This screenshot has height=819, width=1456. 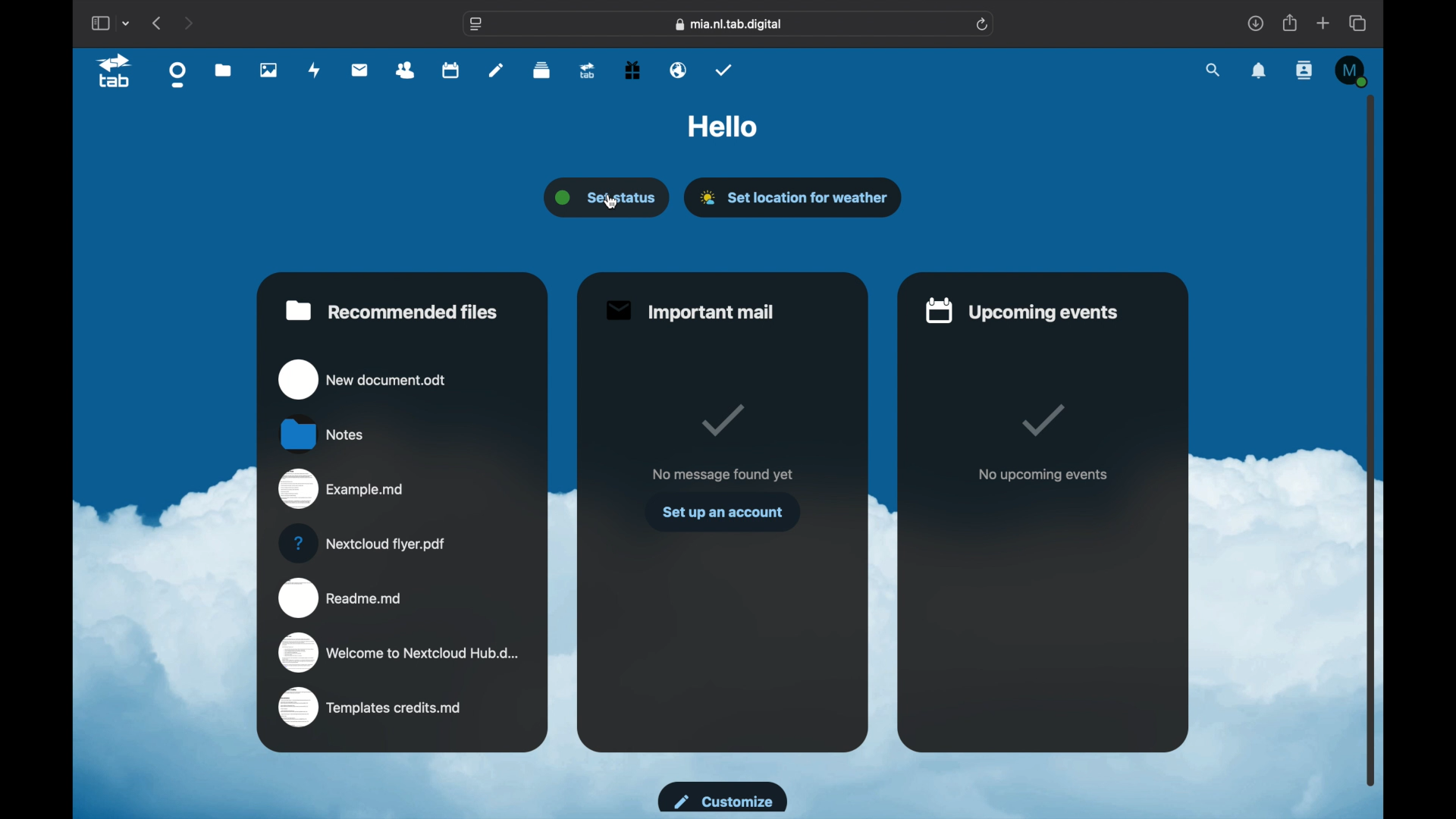 What do you see at coordinates (1040, 419) in the screenshot?
I see `tick mark` at bounding box center [1040, 419].